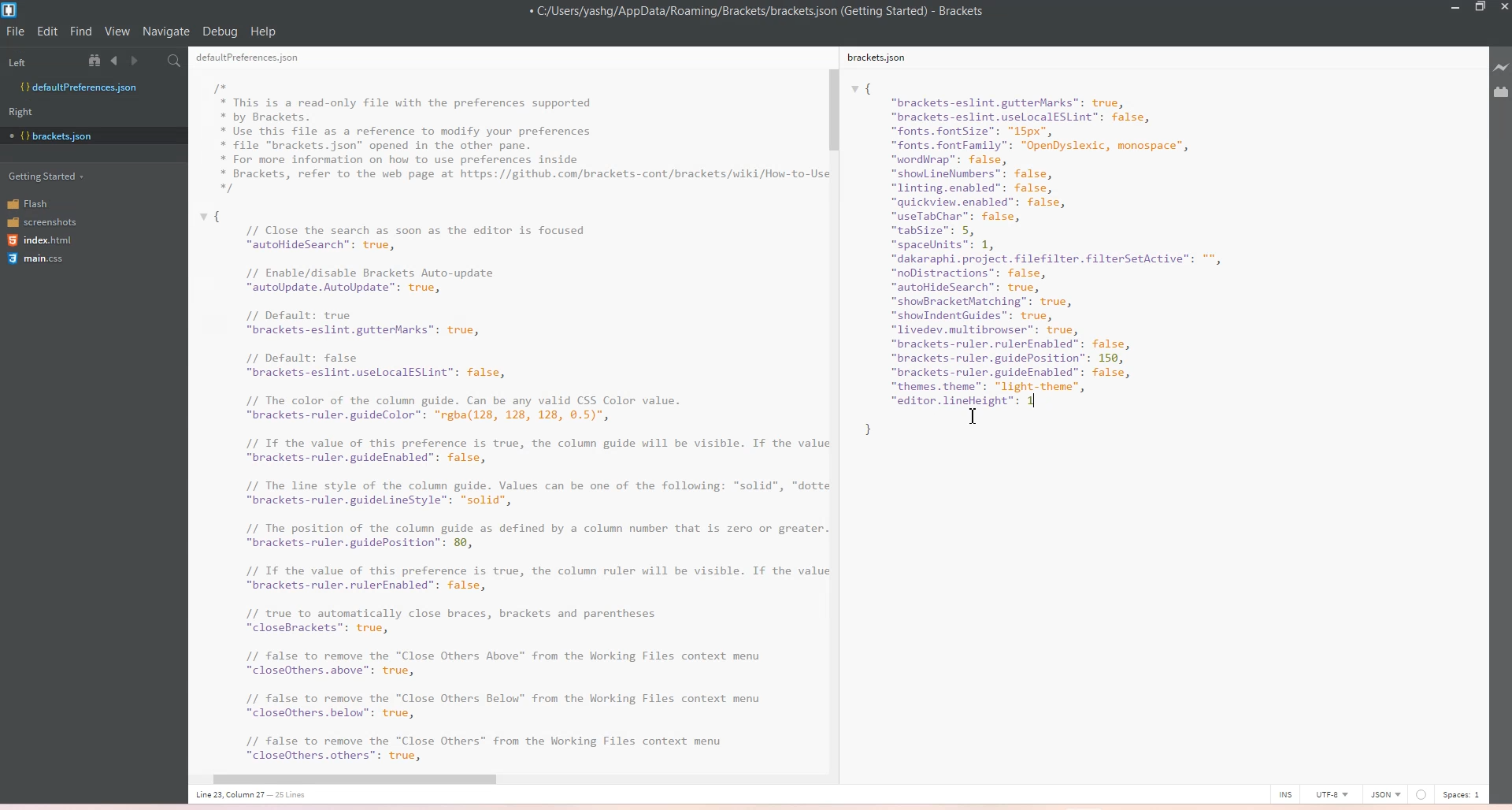 The image size is (1512, 810). Describe the element at coordinates (976, 418) in the screenshot. I see `Text Cursor` at that location.